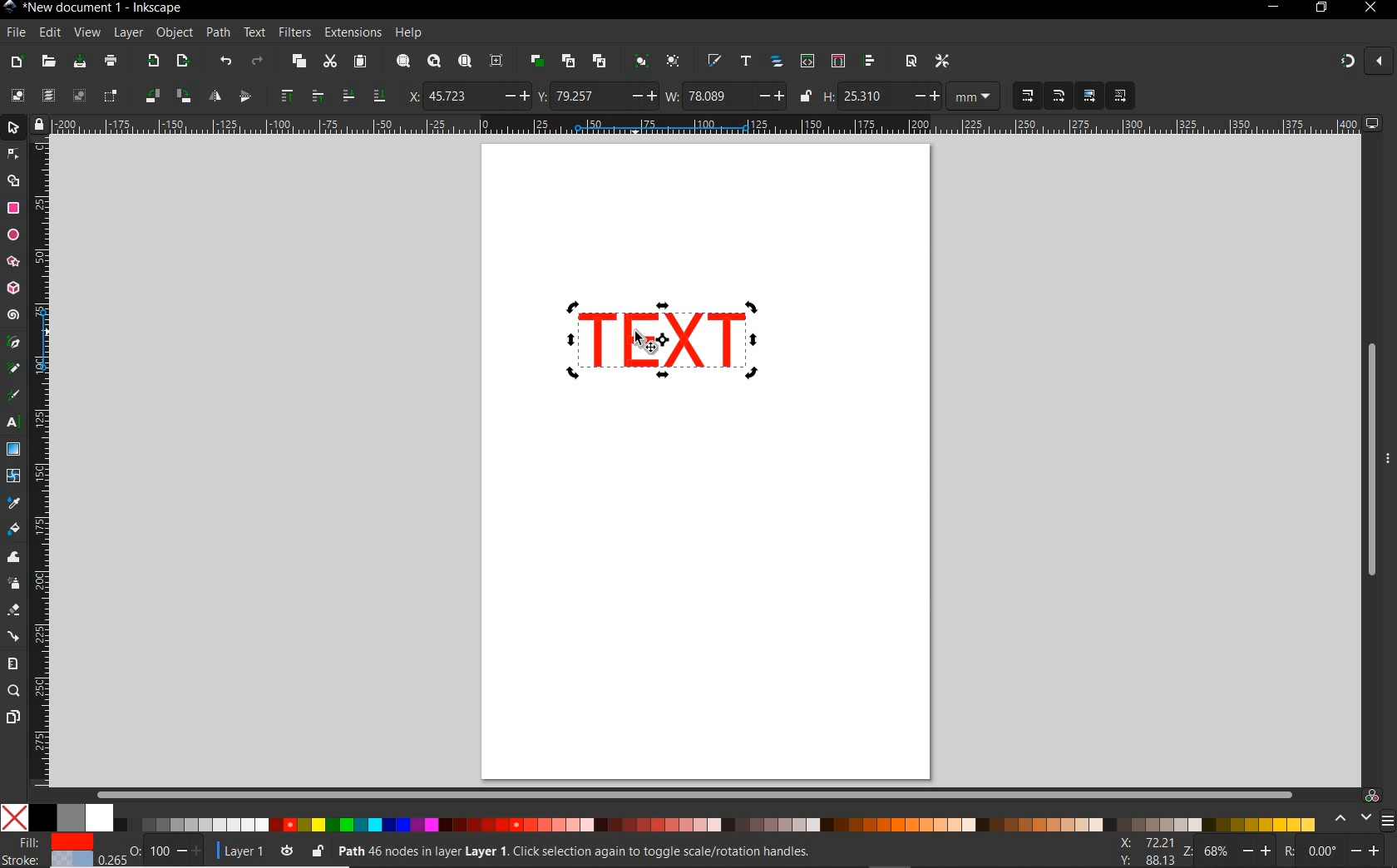 This screenshot has height=868, width=1397. What do you see at coordinates (16, 62) in the screenshot?
I see `NEW` at bounding box center [16, 62].